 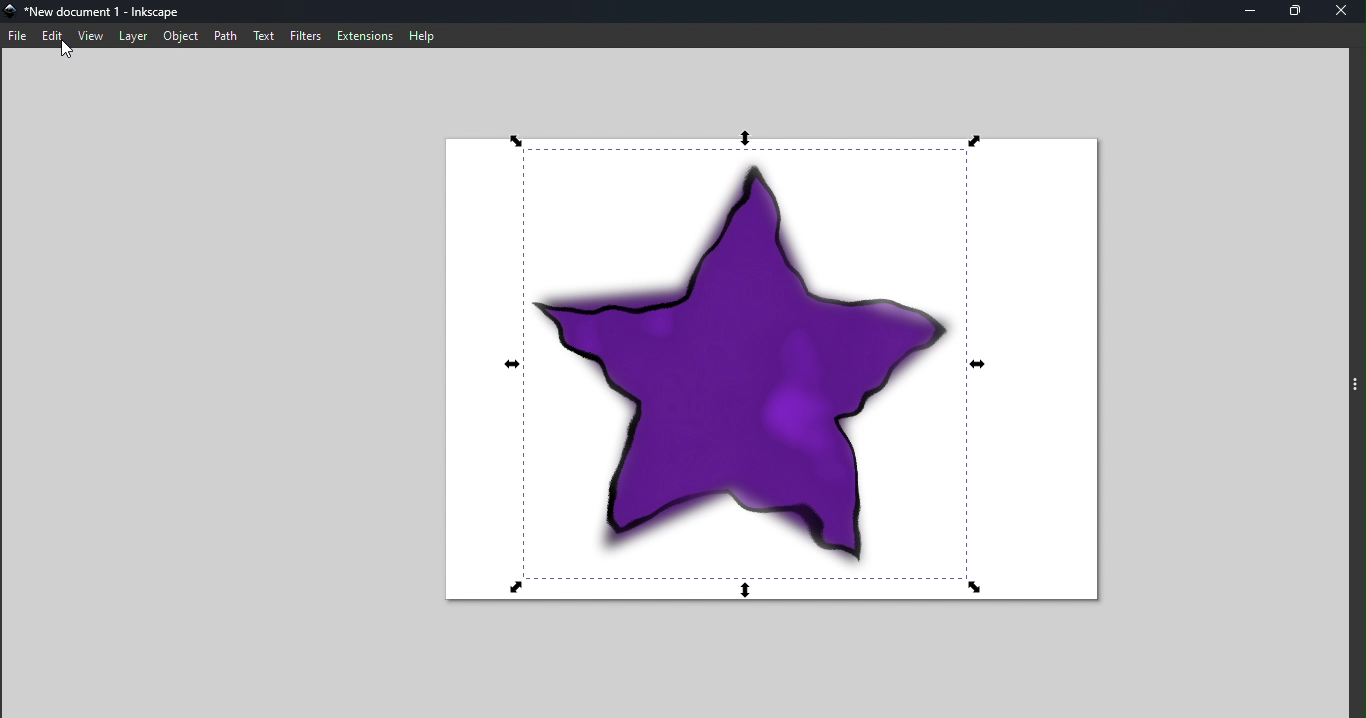 I want to click on Object, so click(x=180, y=36).